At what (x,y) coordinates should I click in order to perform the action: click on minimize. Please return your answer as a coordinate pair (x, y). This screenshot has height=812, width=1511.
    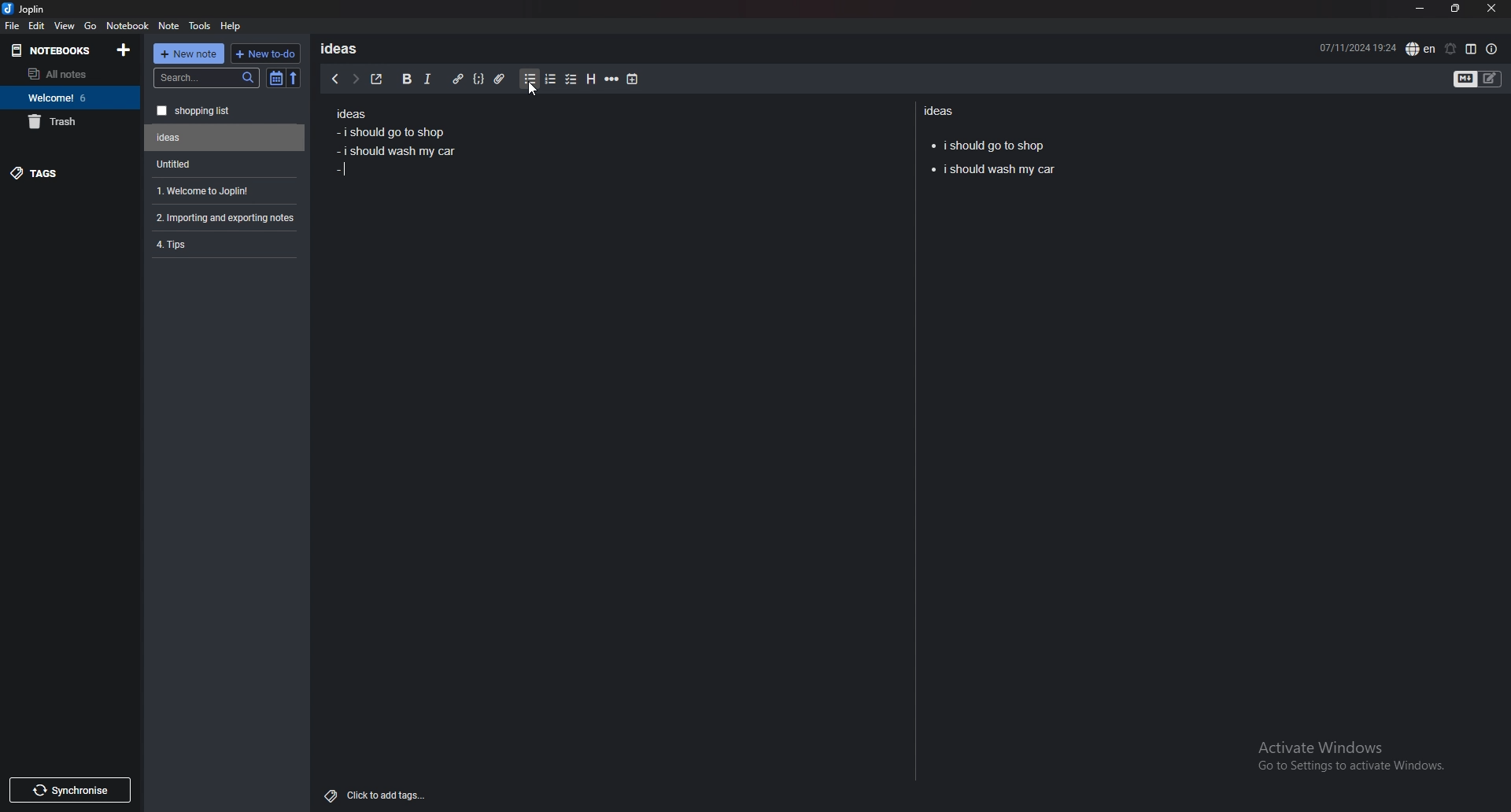
    Looking at the image, I should click on (1420, 9).